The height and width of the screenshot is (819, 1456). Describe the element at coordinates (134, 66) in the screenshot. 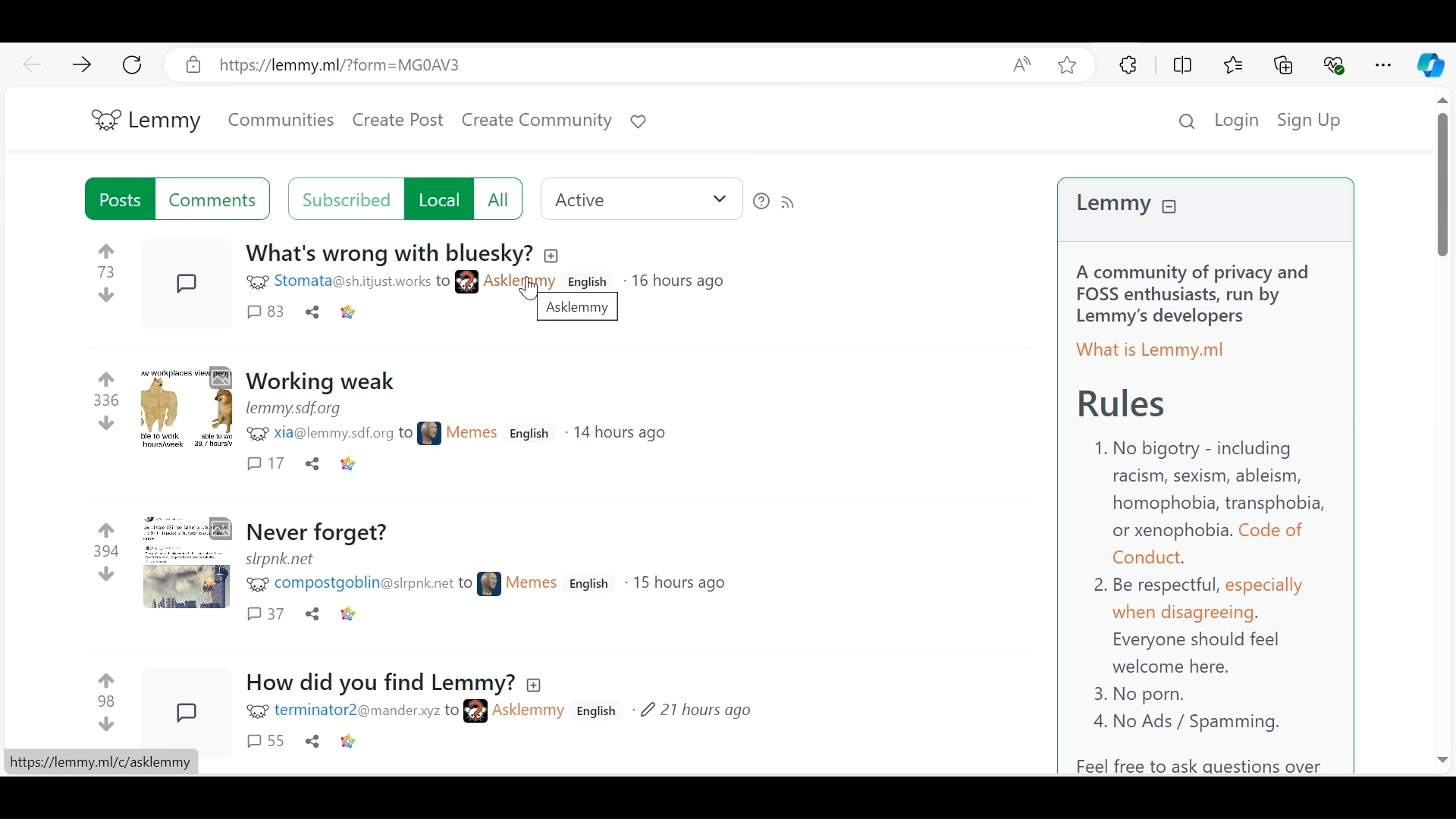

I see `Refresh` at that location.